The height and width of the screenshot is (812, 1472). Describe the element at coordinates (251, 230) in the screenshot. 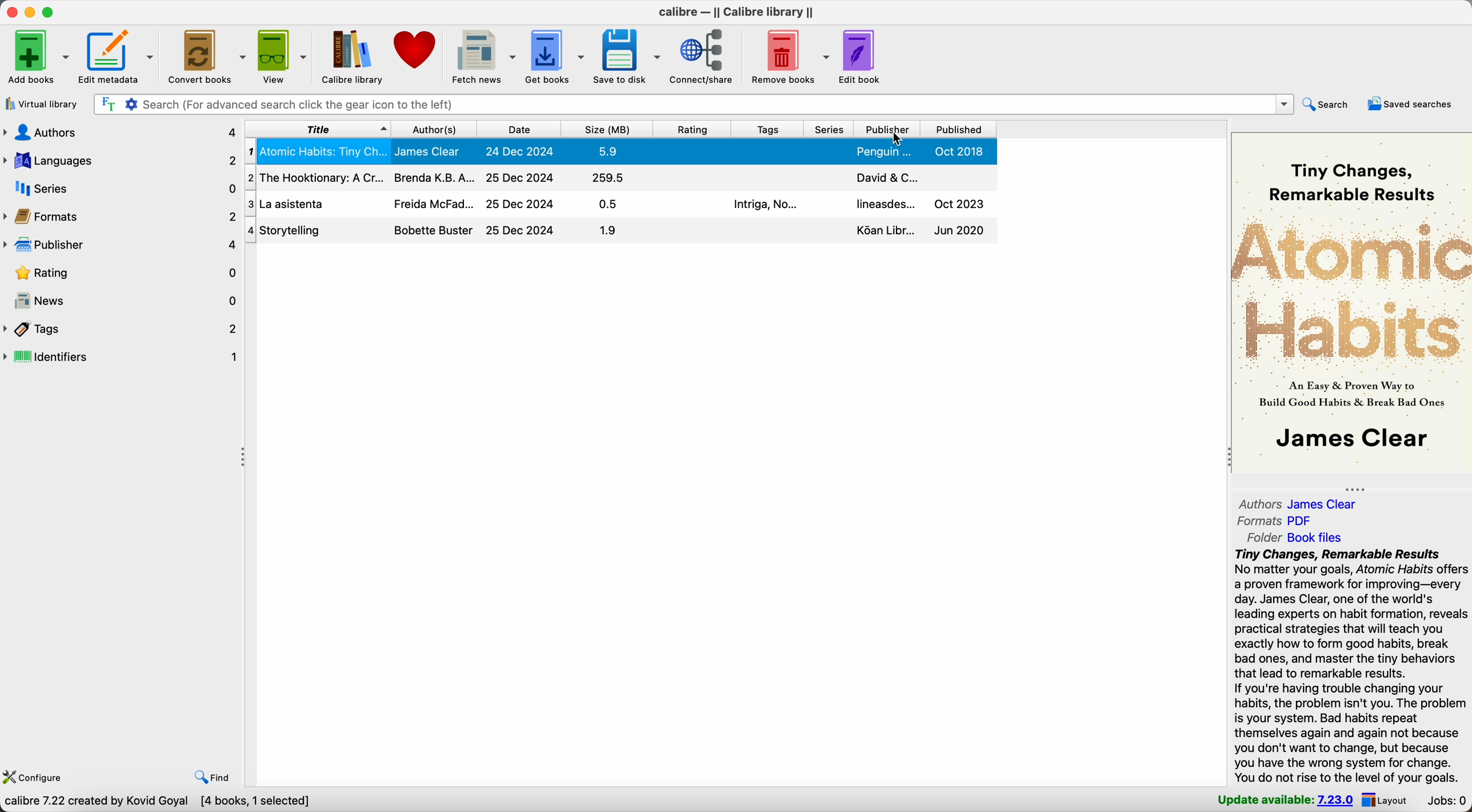

I see `4` at that location.